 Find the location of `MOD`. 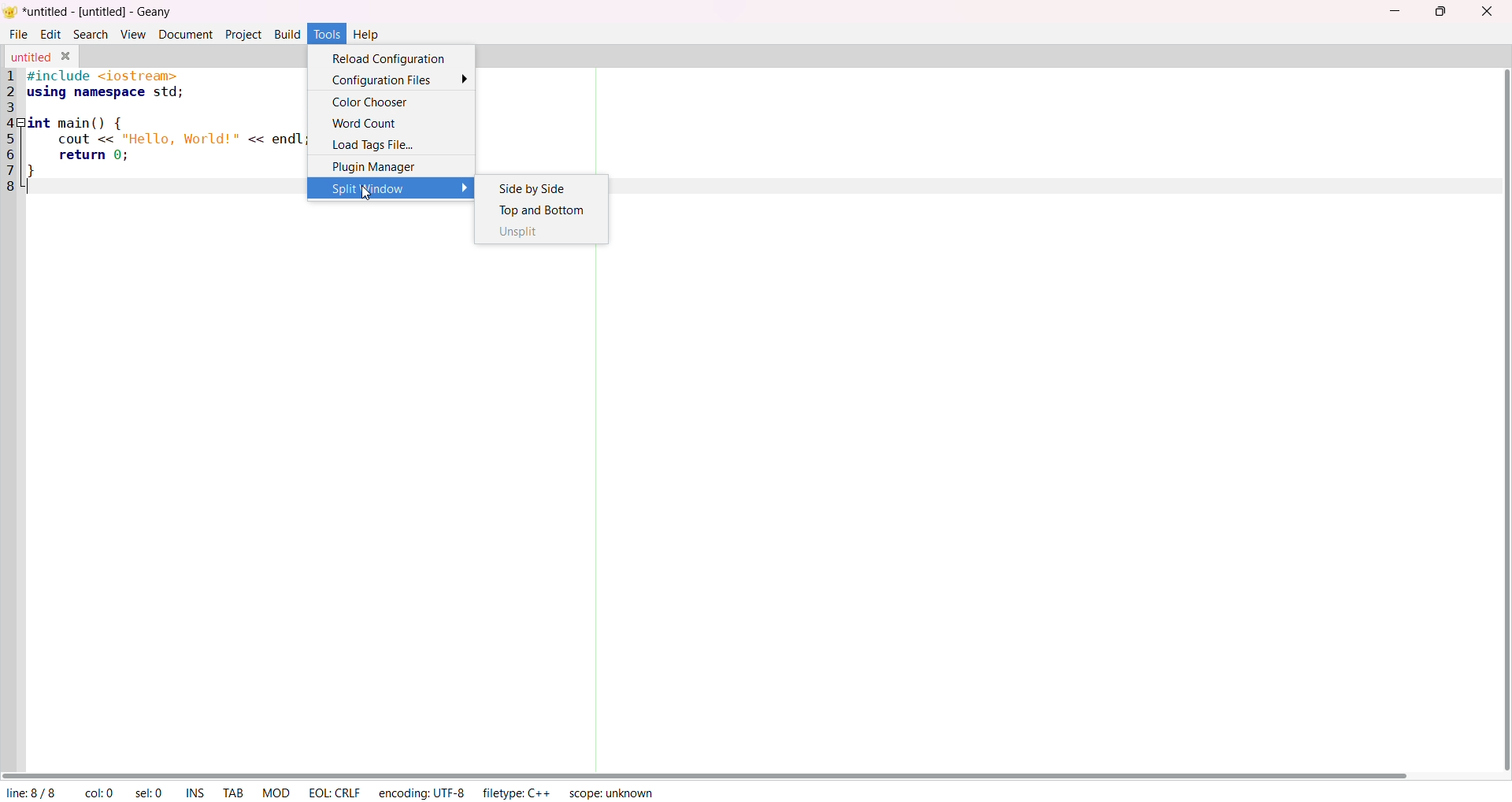

MOD is located at coordinates (274, 792).